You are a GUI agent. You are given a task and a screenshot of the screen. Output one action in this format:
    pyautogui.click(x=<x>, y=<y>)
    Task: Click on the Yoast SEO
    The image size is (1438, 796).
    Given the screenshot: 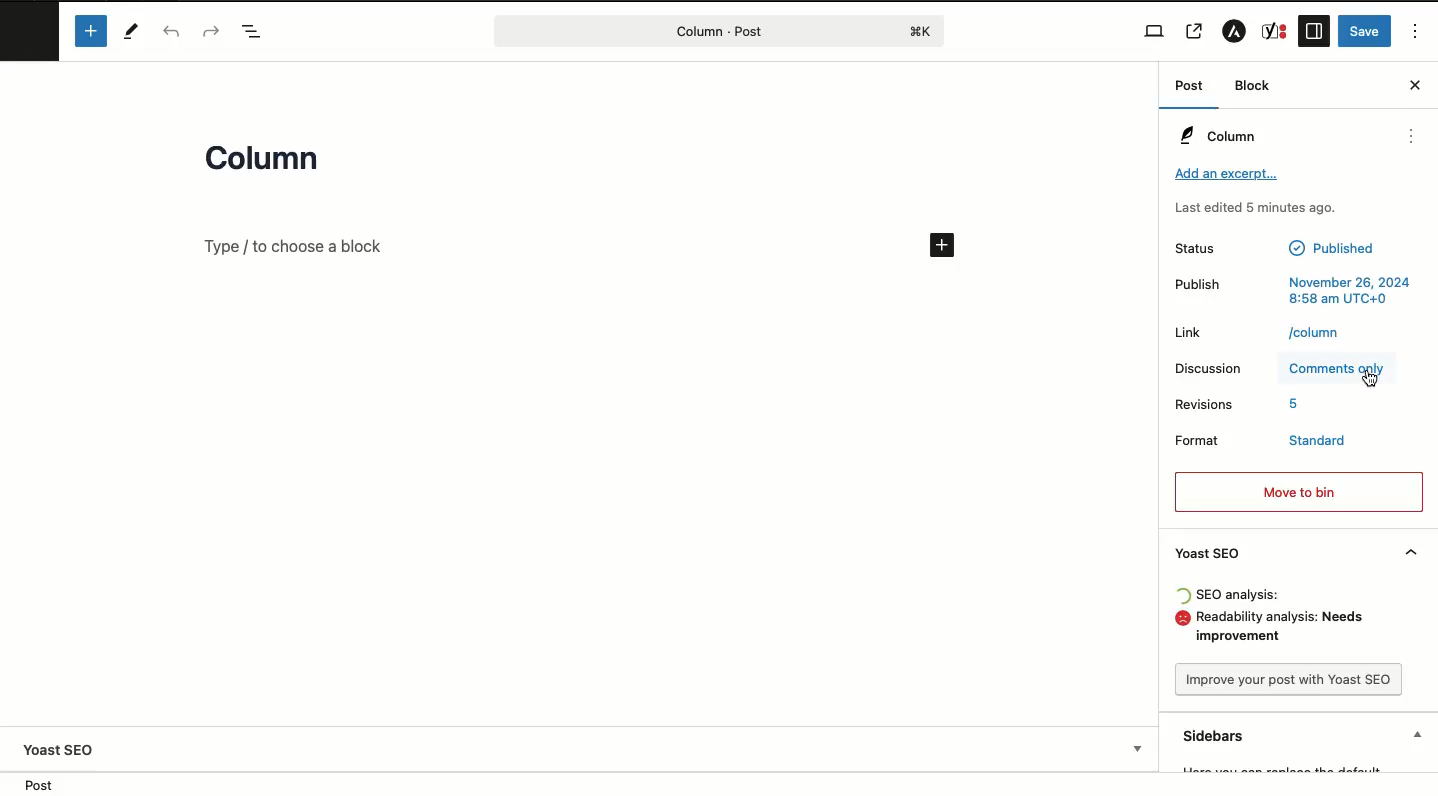 What is the action you would take?
    pyautogui.click(x=59, y=750)
    